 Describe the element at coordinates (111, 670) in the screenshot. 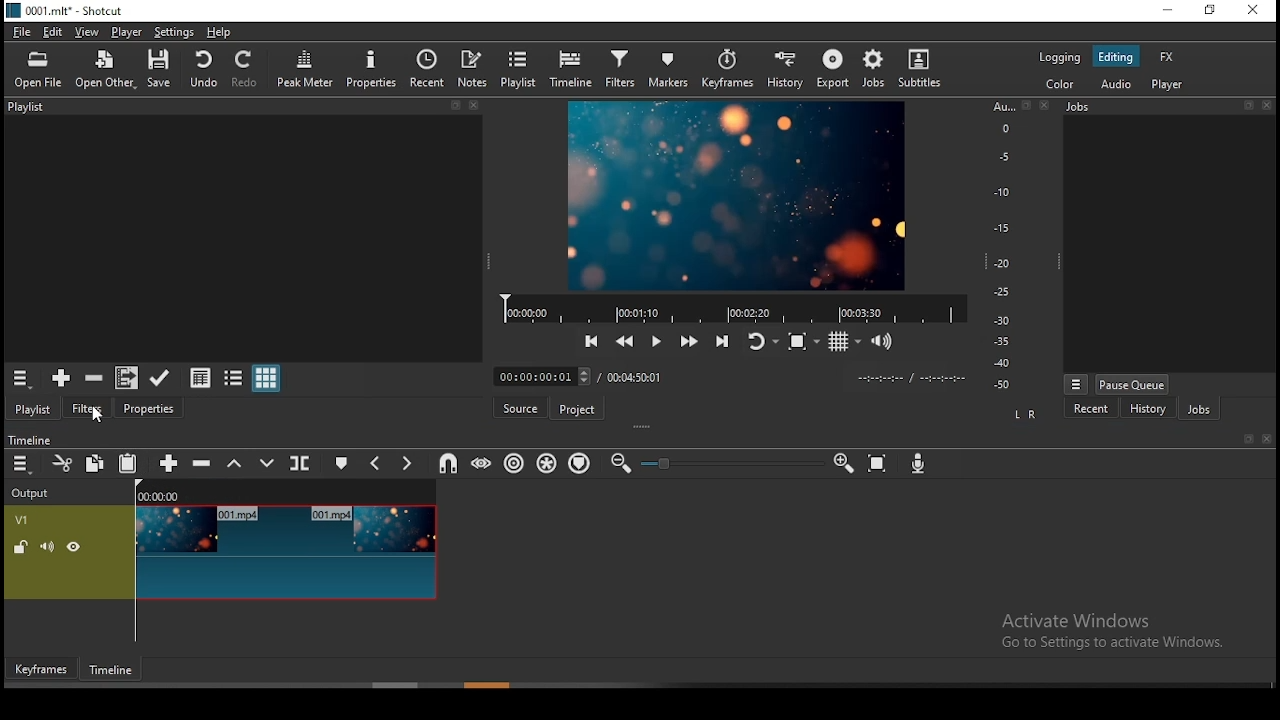

I see `timeframe` at that location.